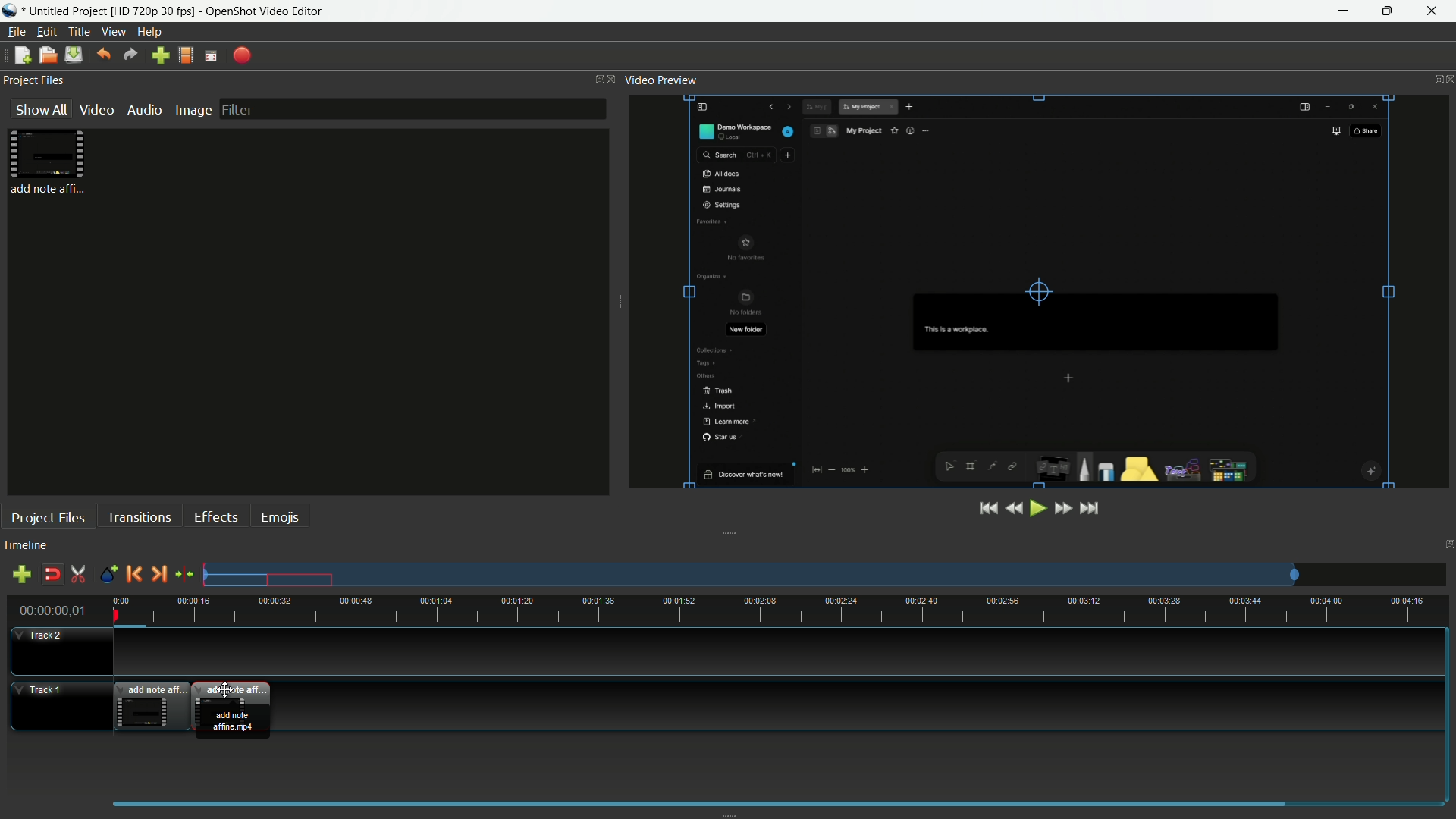 The width and height of the screenshot is (1456, 819). What do you see at coordinates (78, 574) in the screenshot?
I see `enable razor` at bounding box center [78, 574].